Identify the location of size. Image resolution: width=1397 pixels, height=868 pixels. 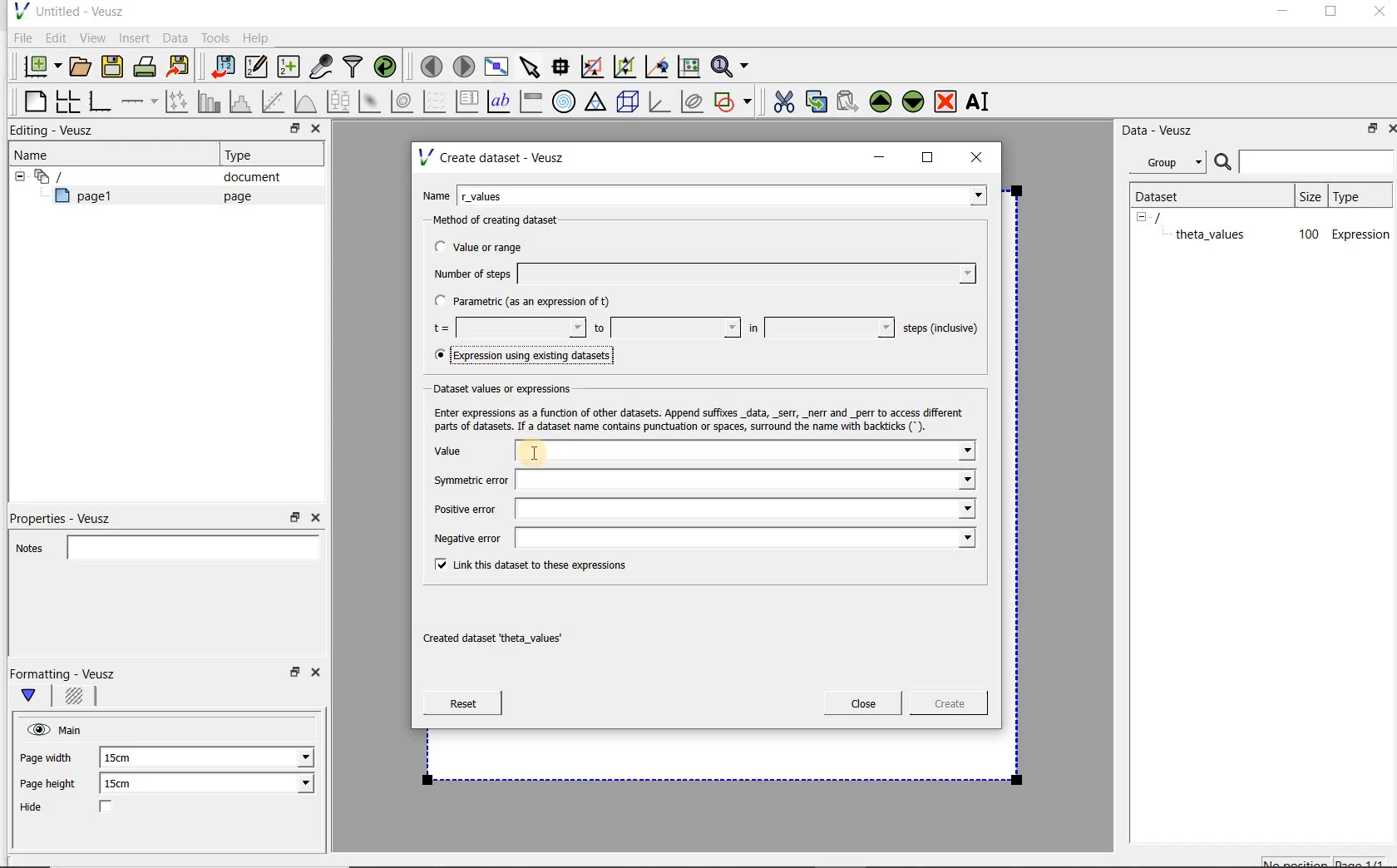
(1309, 194).